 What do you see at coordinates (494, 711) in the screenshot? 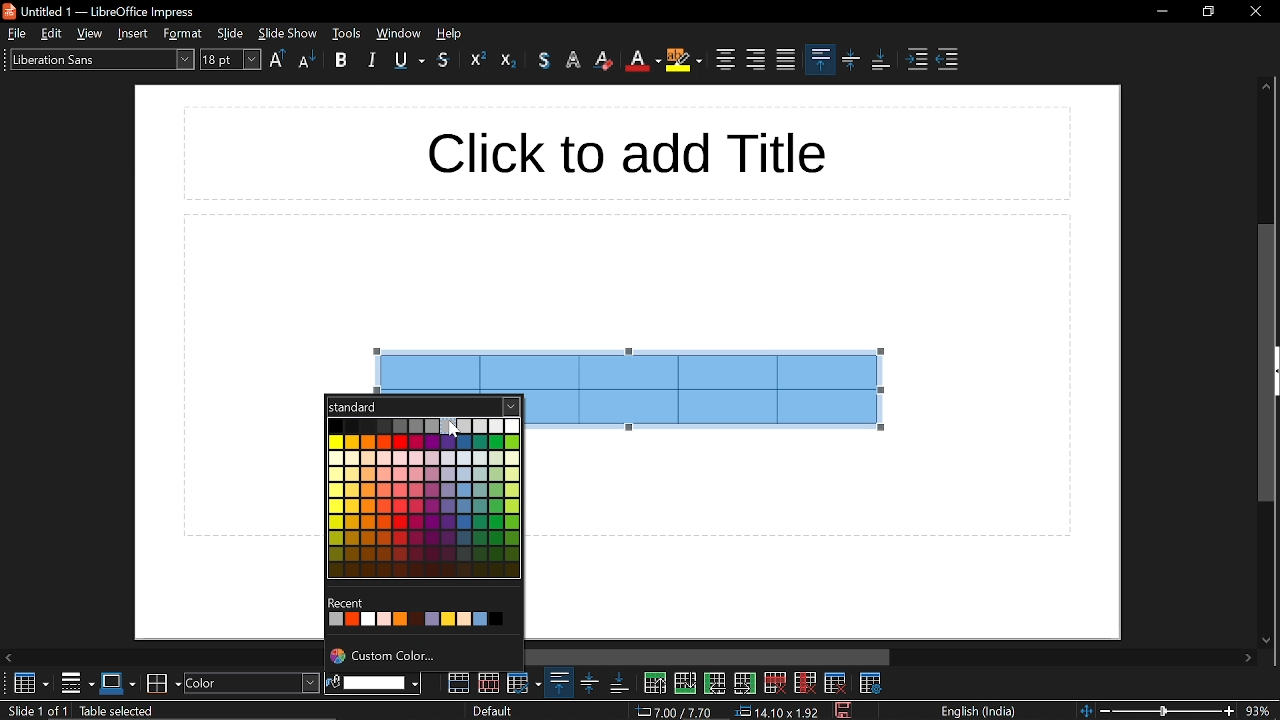
I see `slide style` at bounding box center [494, 711].